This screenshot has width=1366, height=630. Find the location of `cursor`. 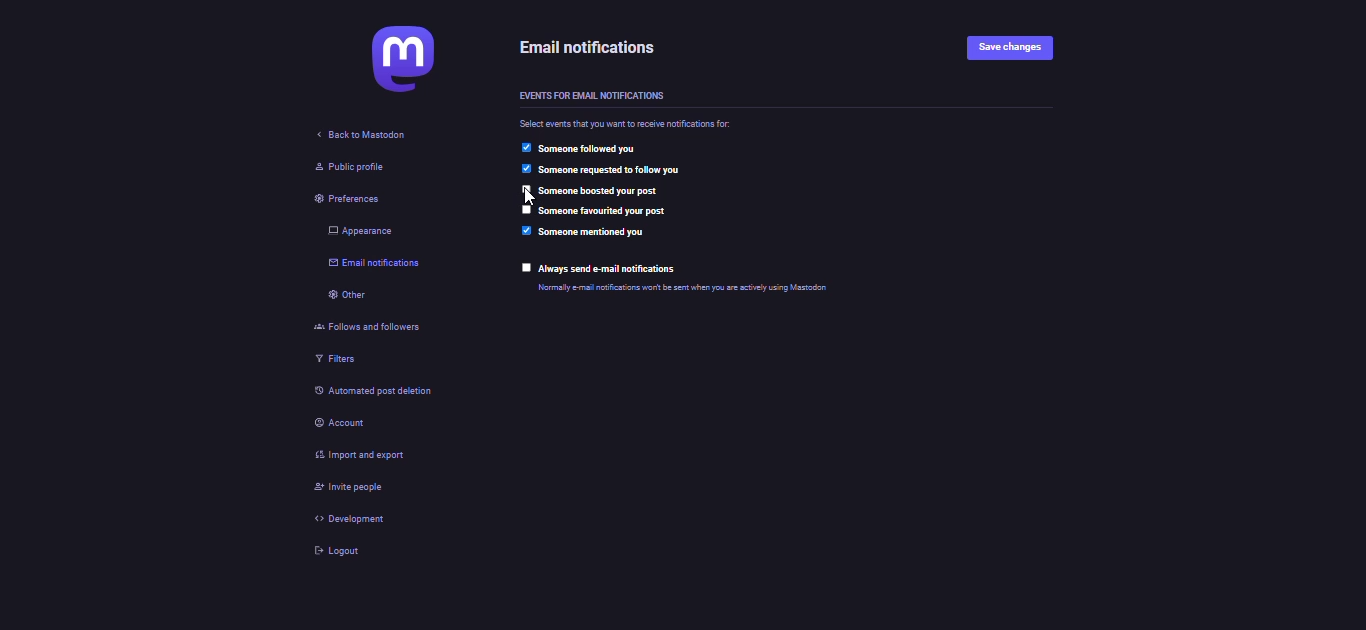

cursor is located at coordinates (526, 195).